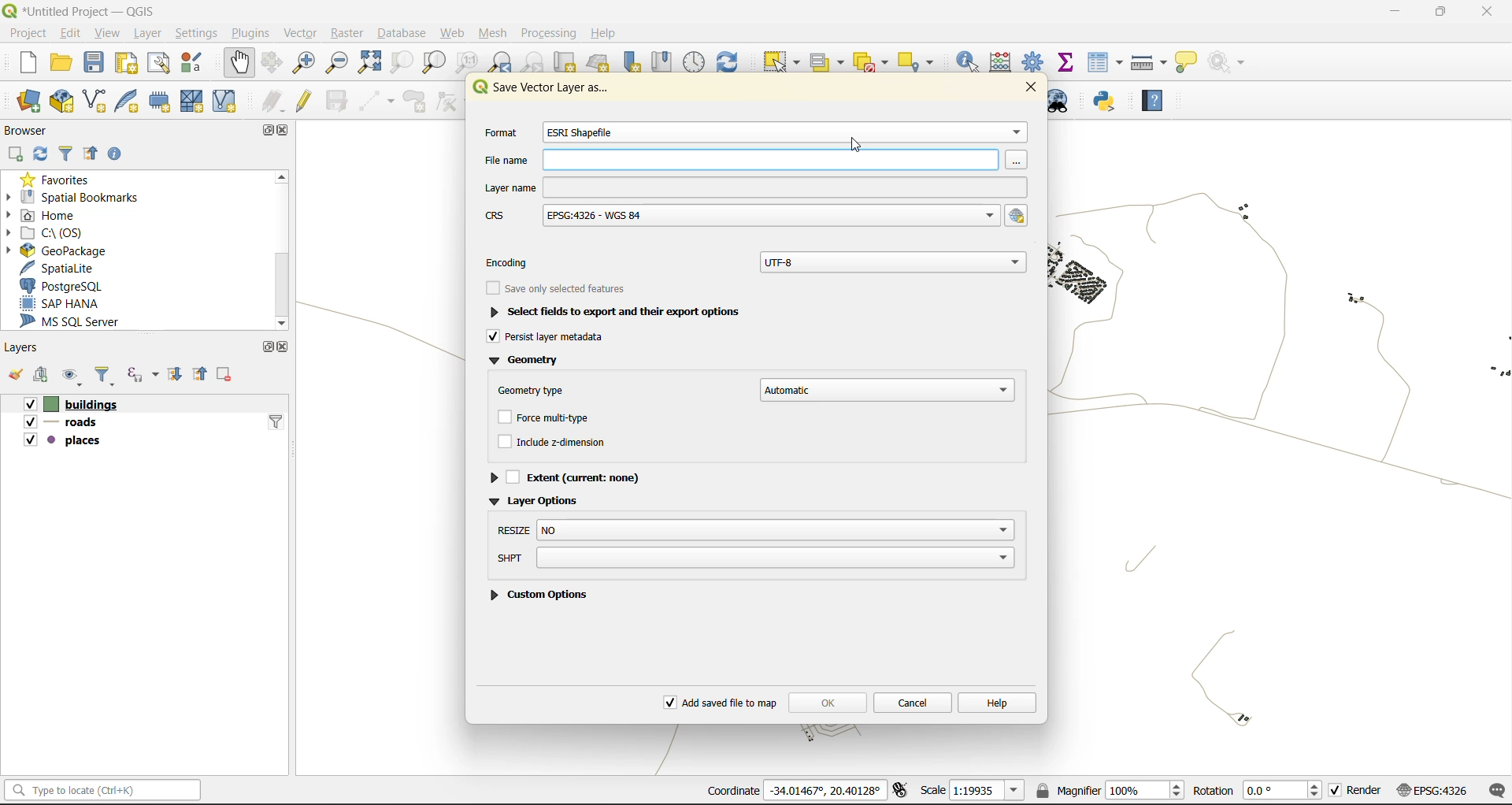 The width and height of the screenshot is (1512, 805). Describe the element at coordinates (108, 376) in the screenshot. I see `filter` at that location.